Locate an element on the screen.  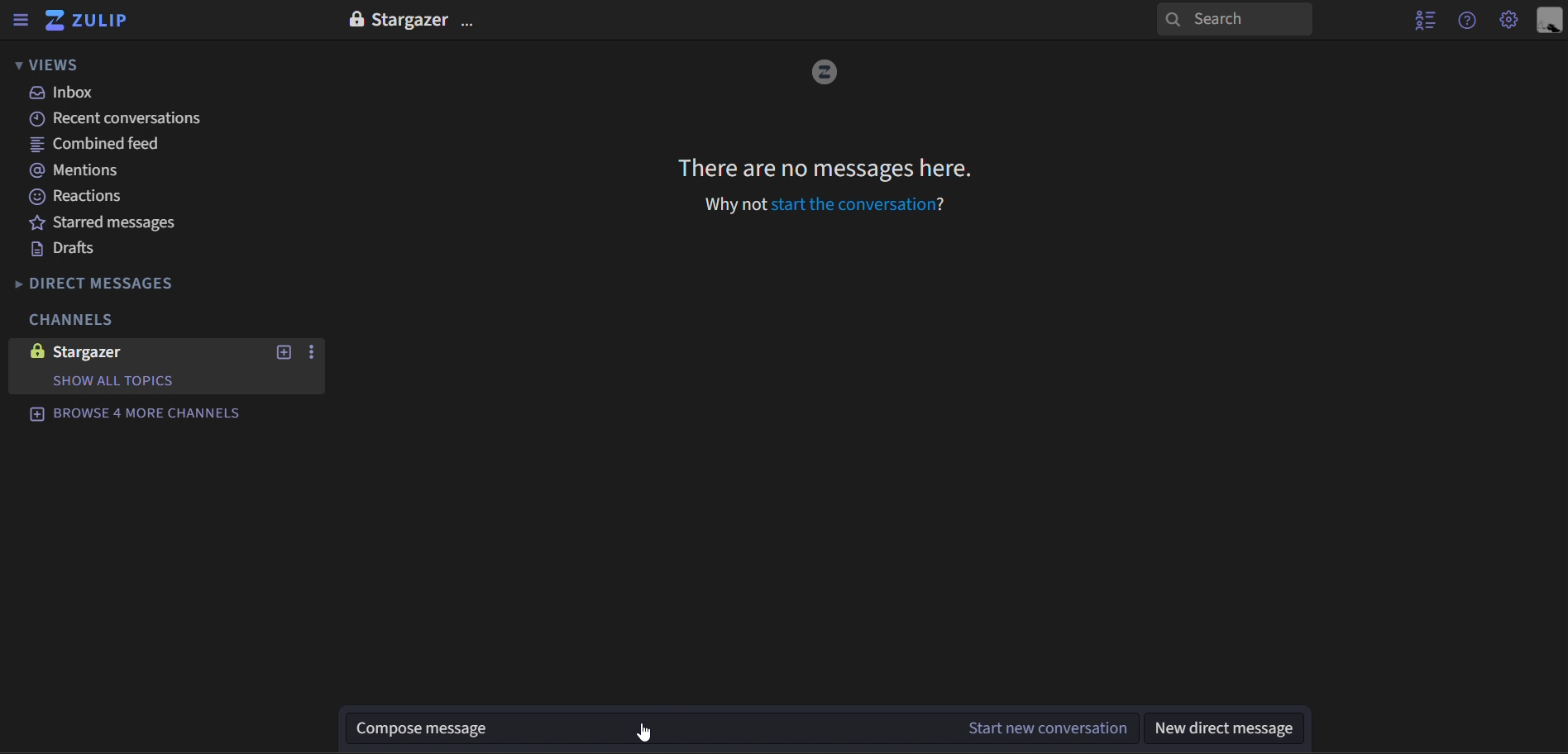
search  is located at coordinates (1236, 18).